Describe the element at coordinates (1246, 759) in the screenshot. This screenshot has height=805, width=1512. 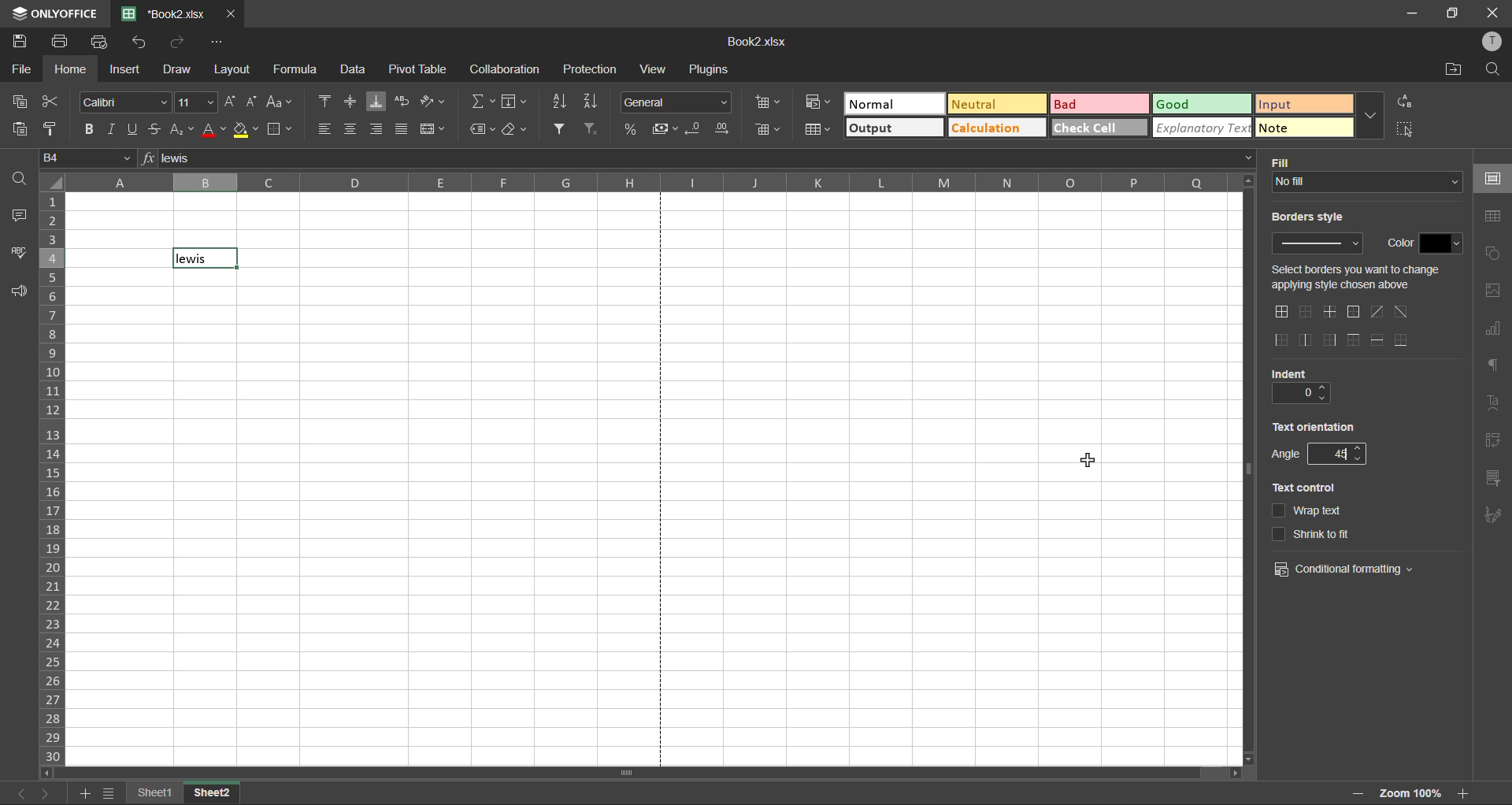
I see `move down` at that location.